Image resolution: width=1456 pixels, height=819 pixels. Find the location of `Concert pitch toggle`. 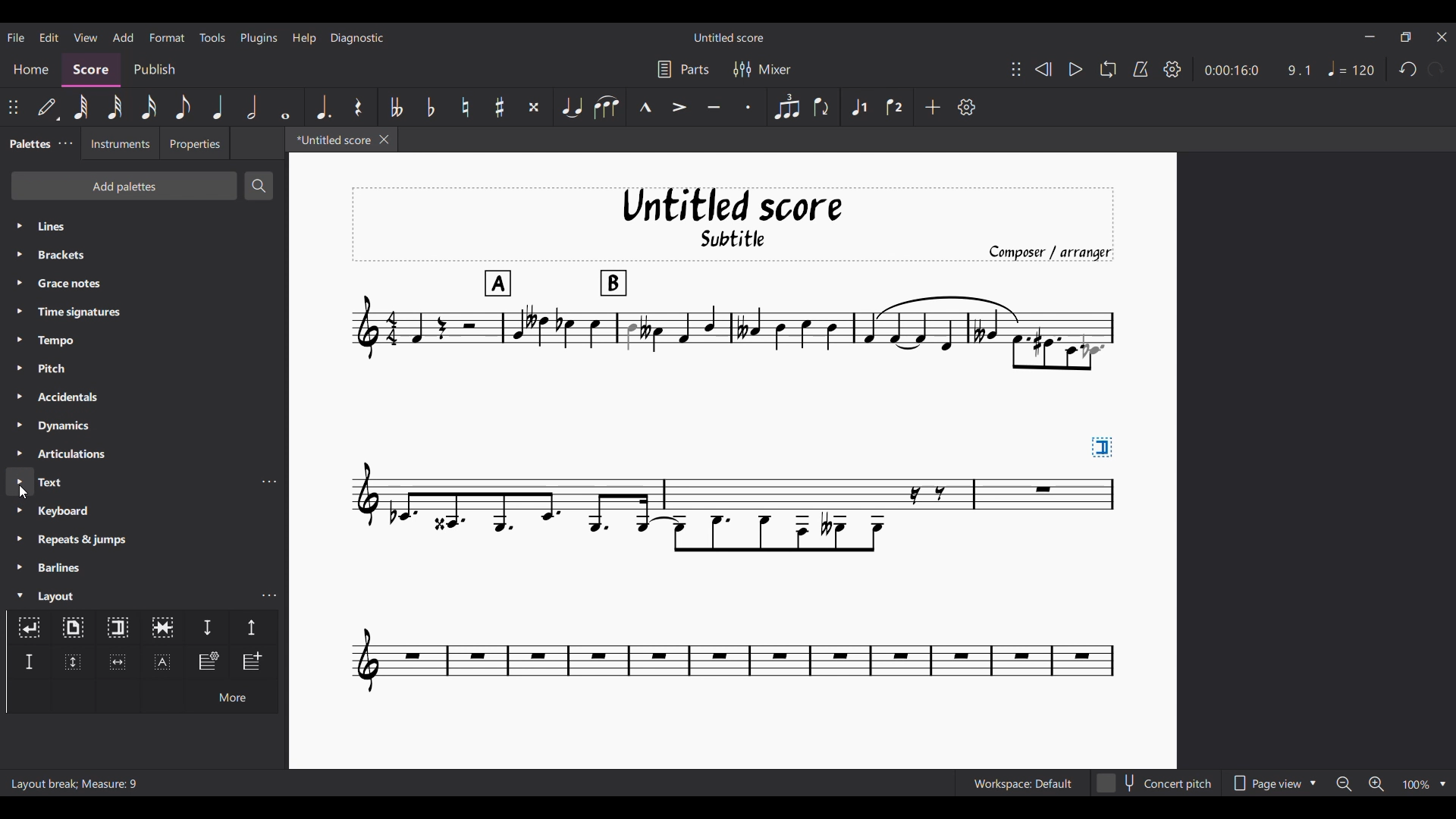

Concert pitch toggle is located at coordinates (1155, 783).